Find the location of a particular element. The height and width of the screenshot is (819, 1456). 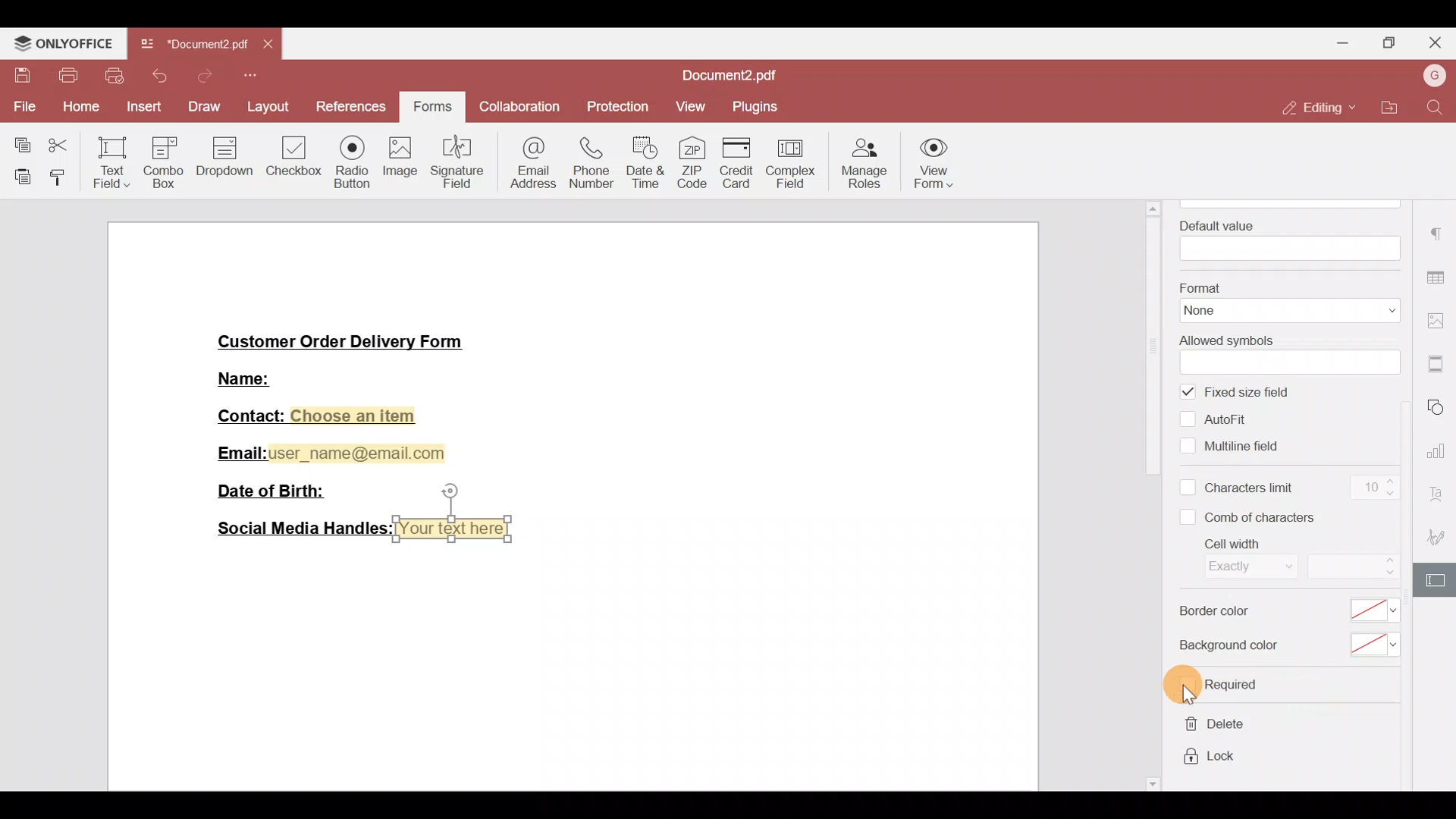

Delete is located at coordinates (1211, 727).